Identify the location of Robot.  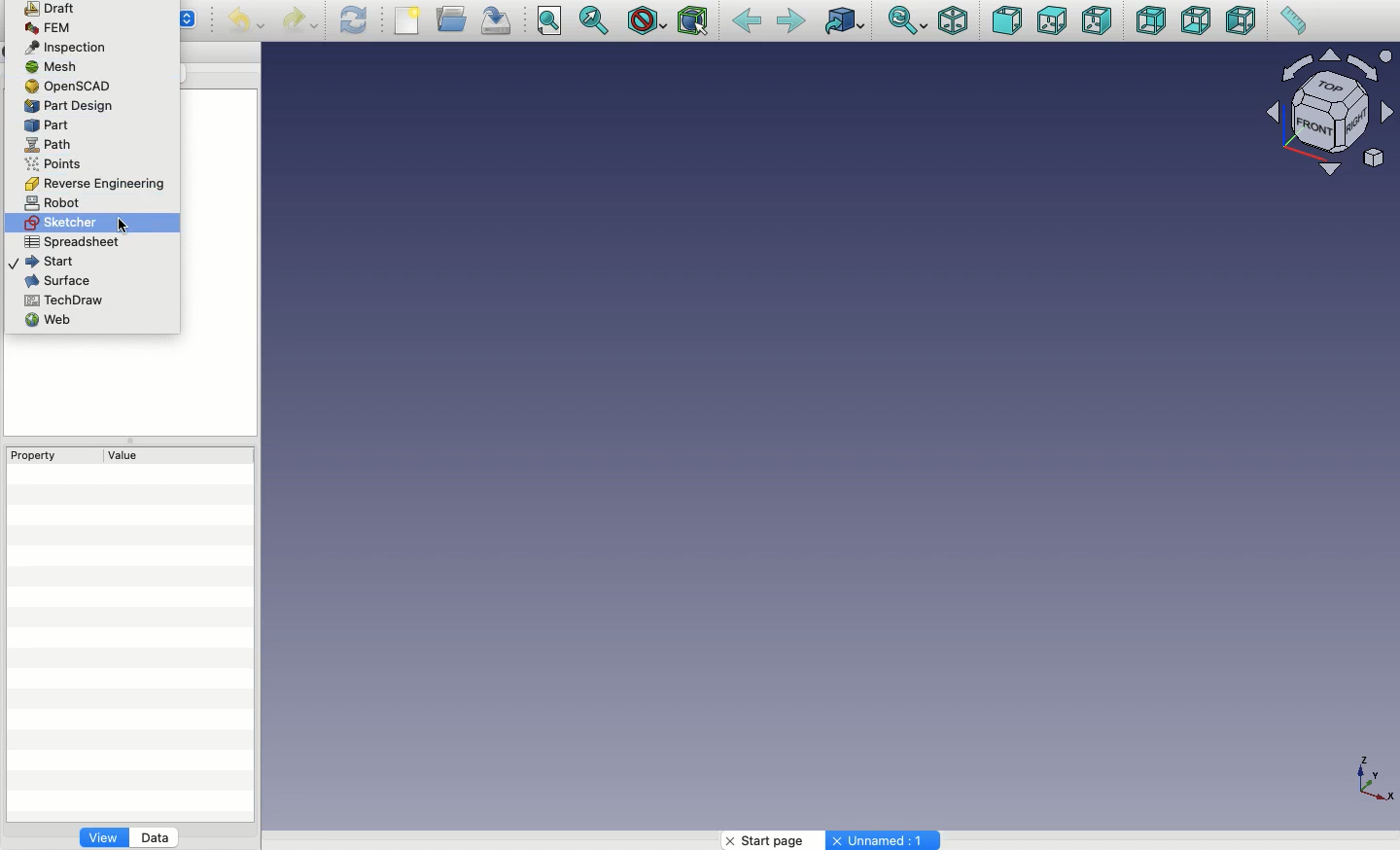
(53, 202).